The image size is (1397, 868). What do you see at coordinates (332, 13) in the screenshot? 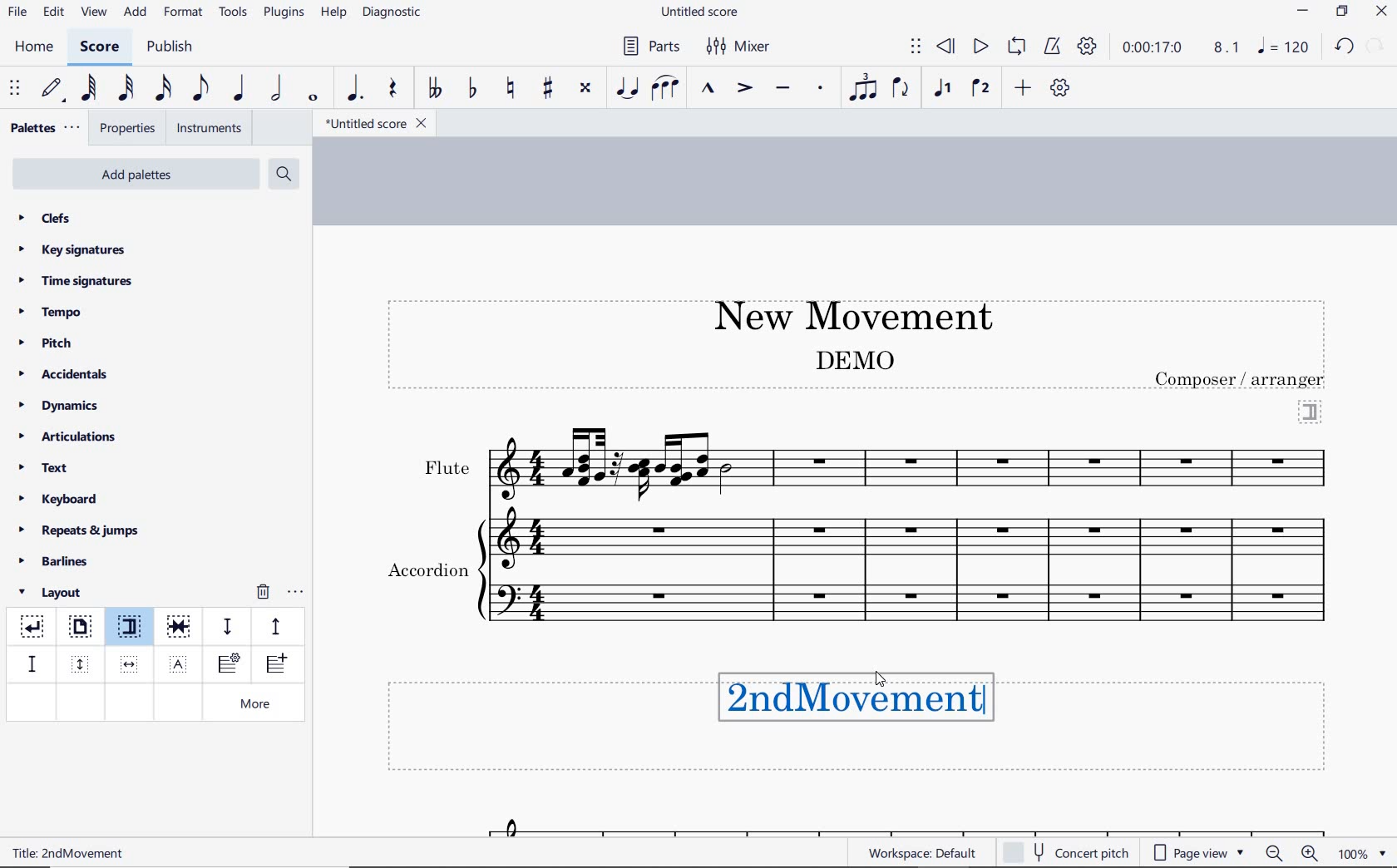
I see `help` at bounding box center [332, 13].